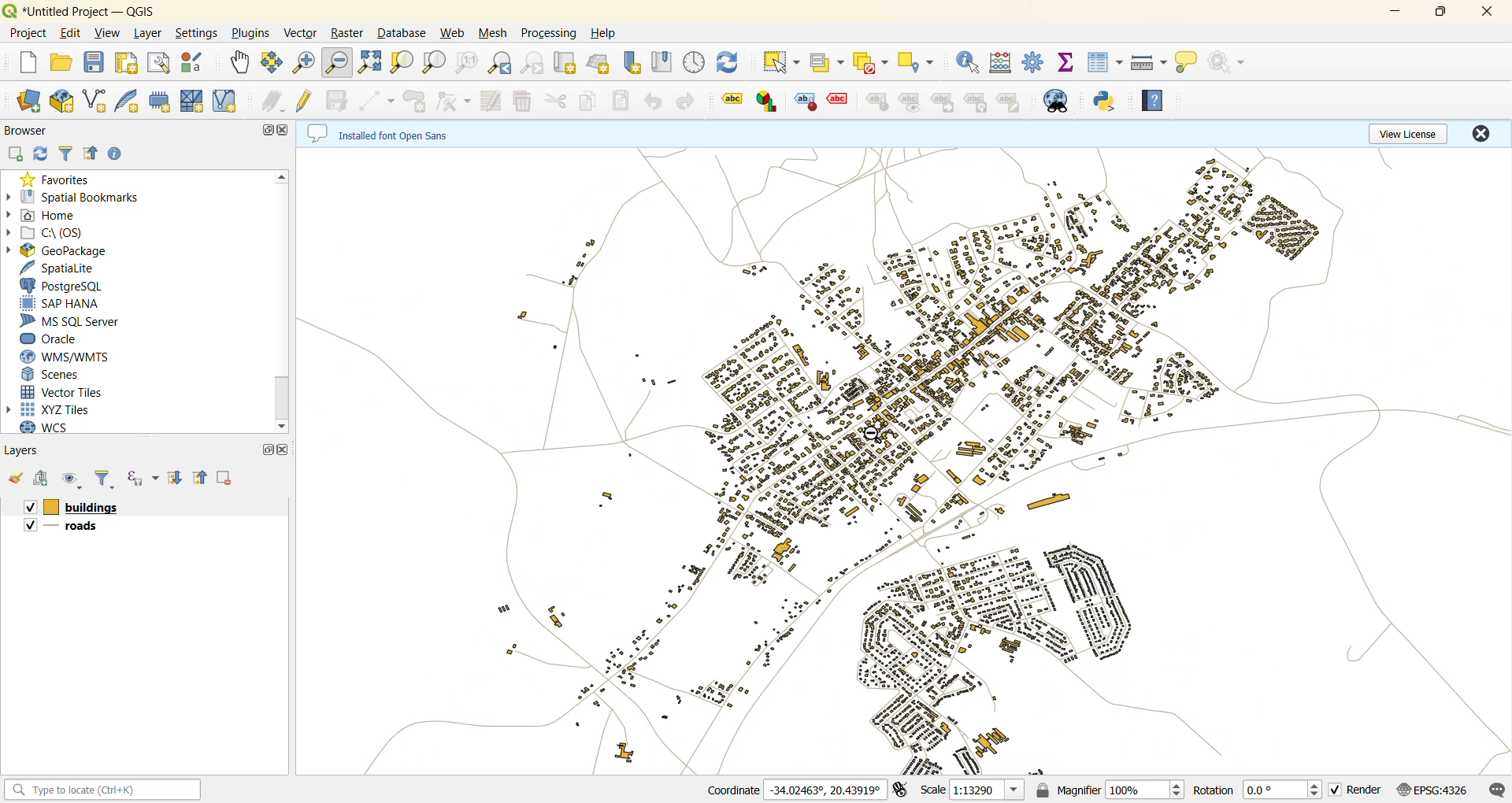 Image resolution: width=1512 pixels, height=803 pixels. What do you see at coordinates (416, 101) in the screenshot?
I see `add polygon` at bounding box center [416, 101].